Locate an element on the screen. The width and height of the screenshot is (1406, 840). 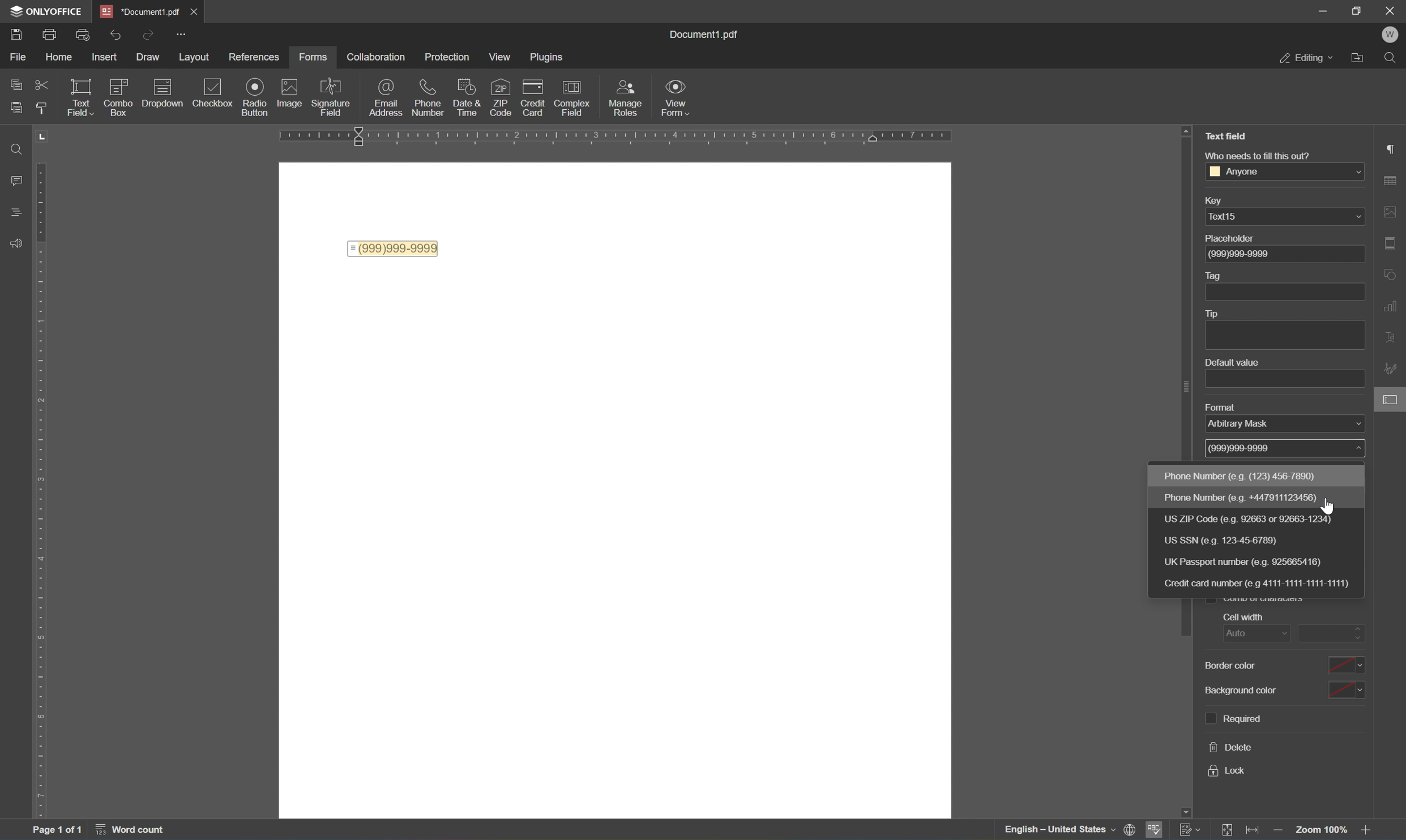
headings is located at coordinates (14, 210).